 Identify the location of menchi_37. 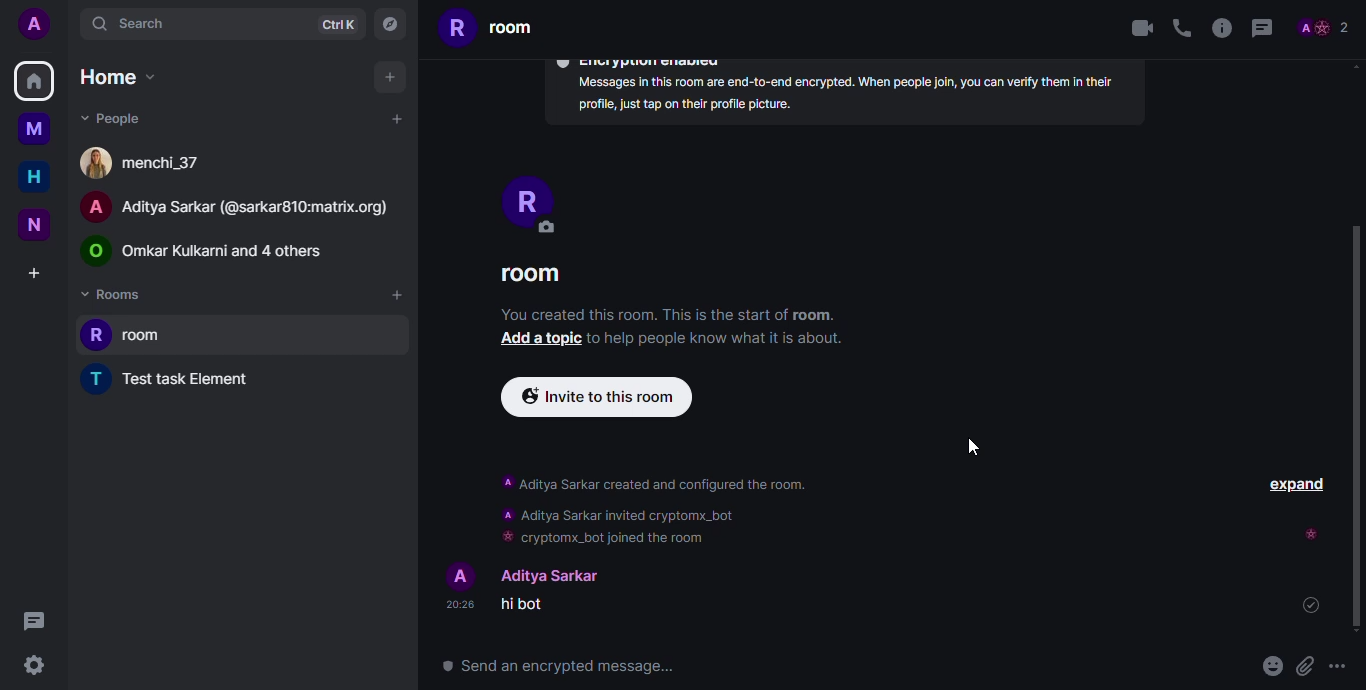
(140, 163).